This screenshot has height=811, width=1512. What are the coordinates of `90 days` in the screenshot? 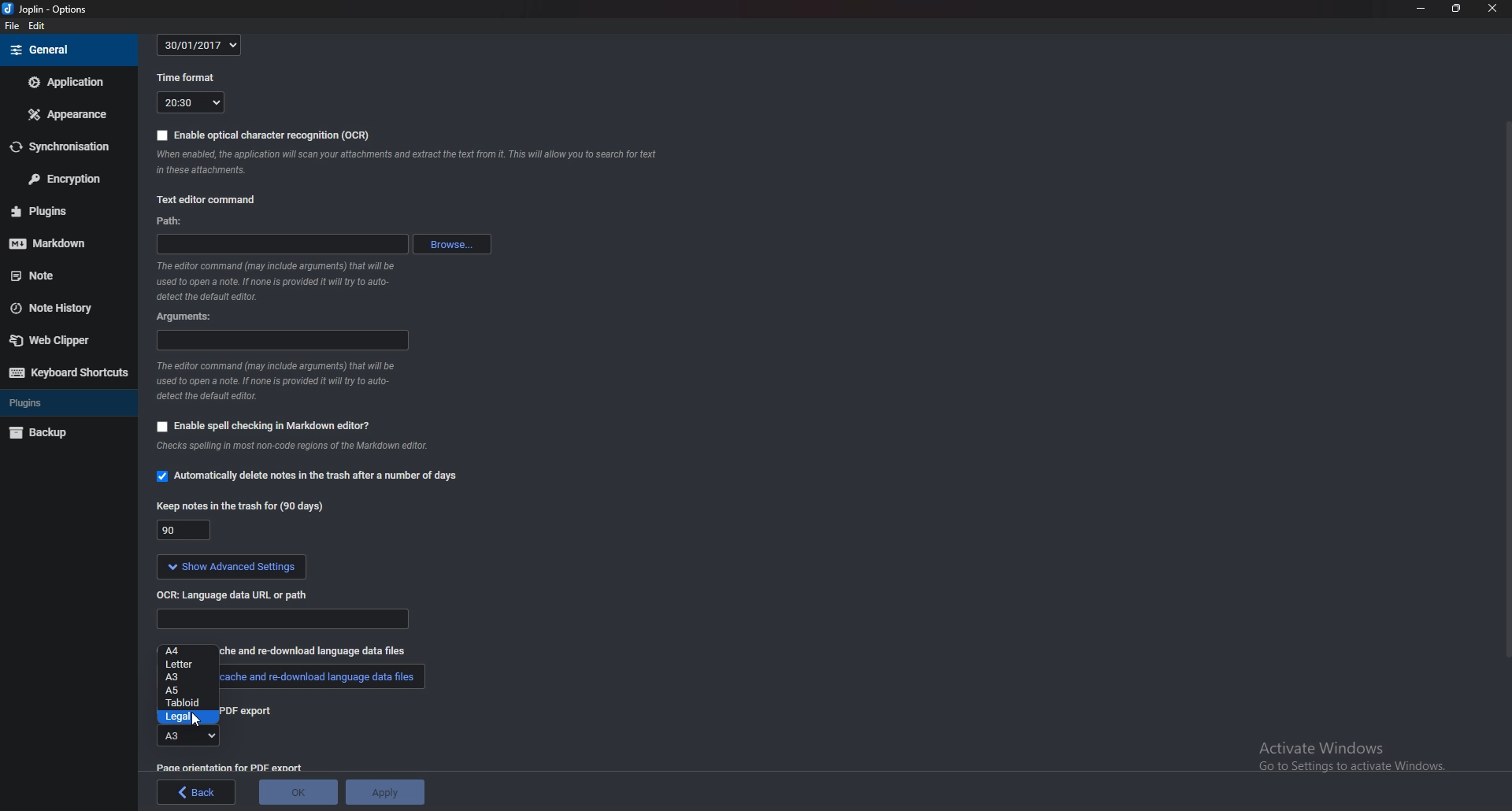 It's located at (184, 531).